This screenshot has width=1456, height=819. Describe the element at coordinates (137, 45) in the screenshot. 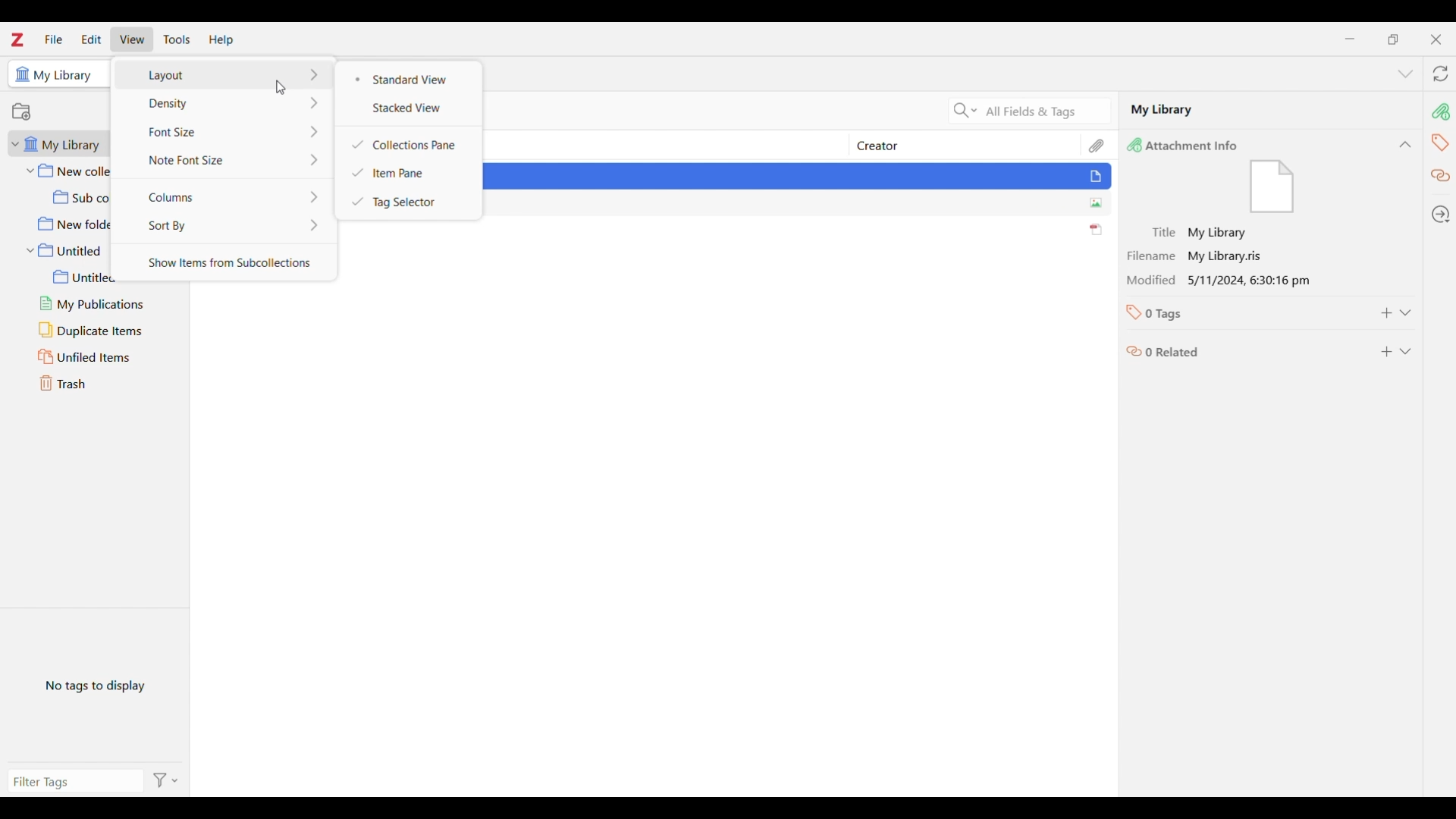

I see `Cursor clicking in View menu` at that location.